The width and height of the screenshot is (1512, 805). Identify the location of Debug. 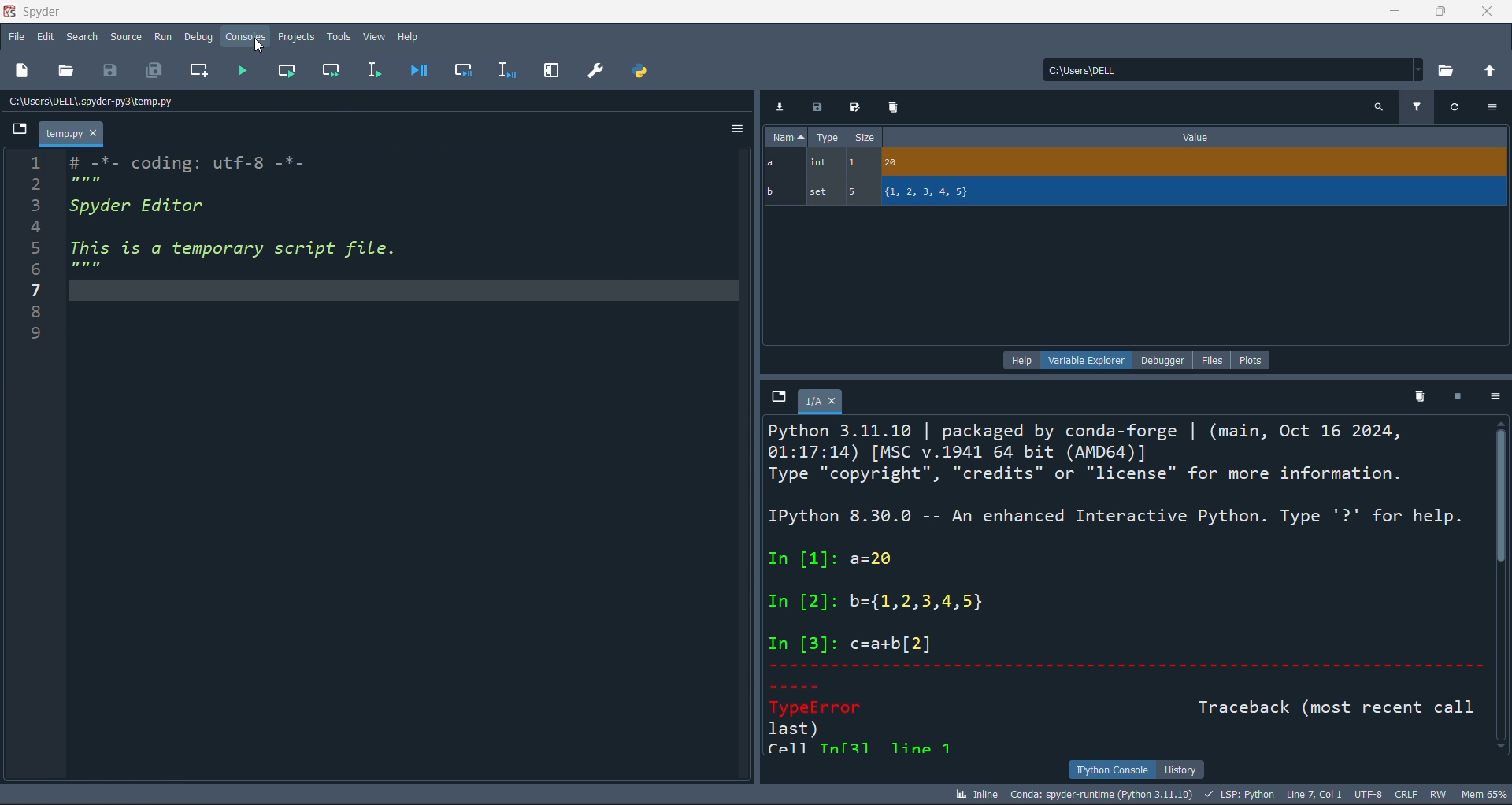
(202, 38).